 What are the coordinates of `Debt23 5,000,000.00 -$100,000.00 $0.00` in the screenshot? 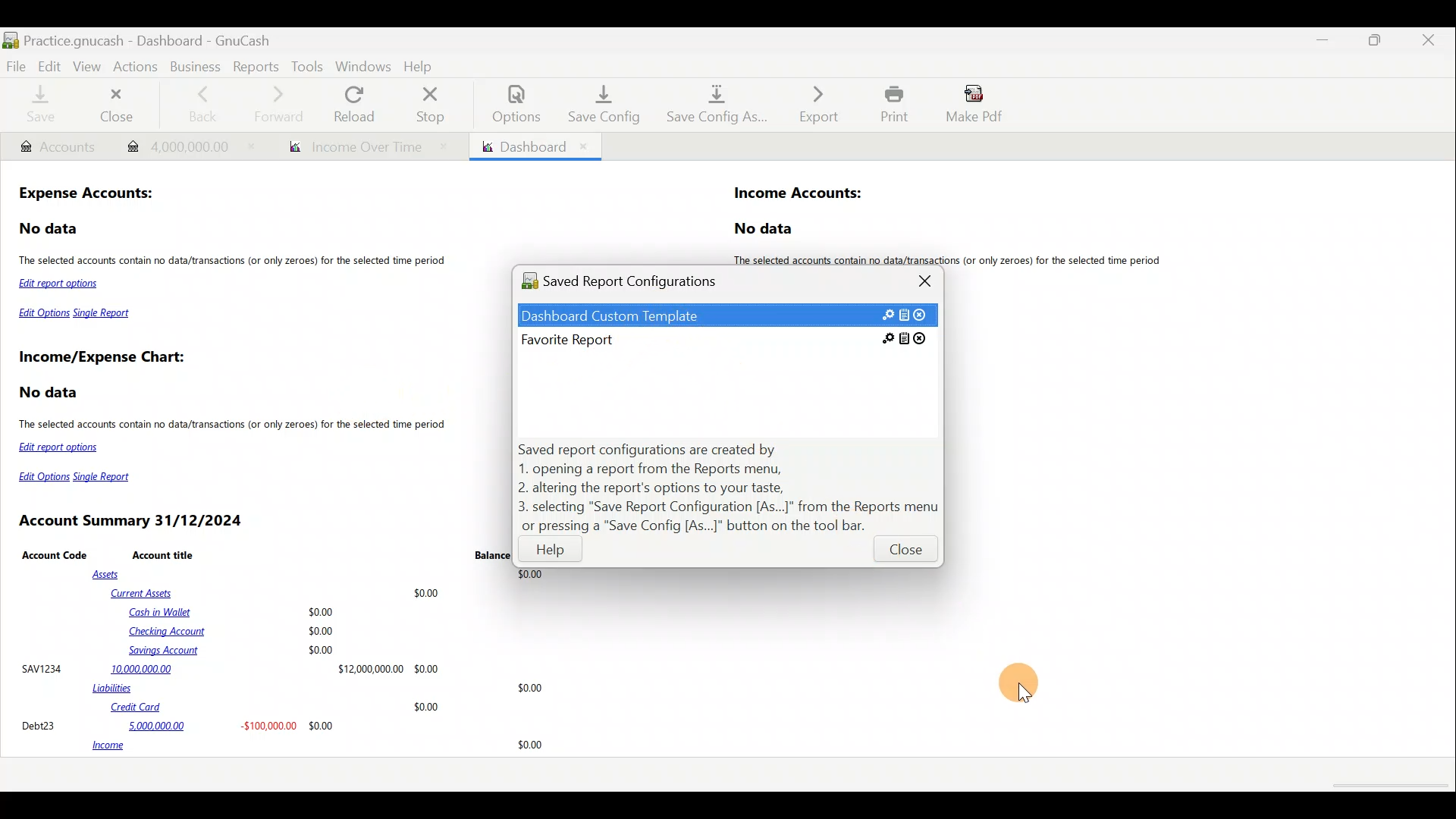 It's located at (179, 725).